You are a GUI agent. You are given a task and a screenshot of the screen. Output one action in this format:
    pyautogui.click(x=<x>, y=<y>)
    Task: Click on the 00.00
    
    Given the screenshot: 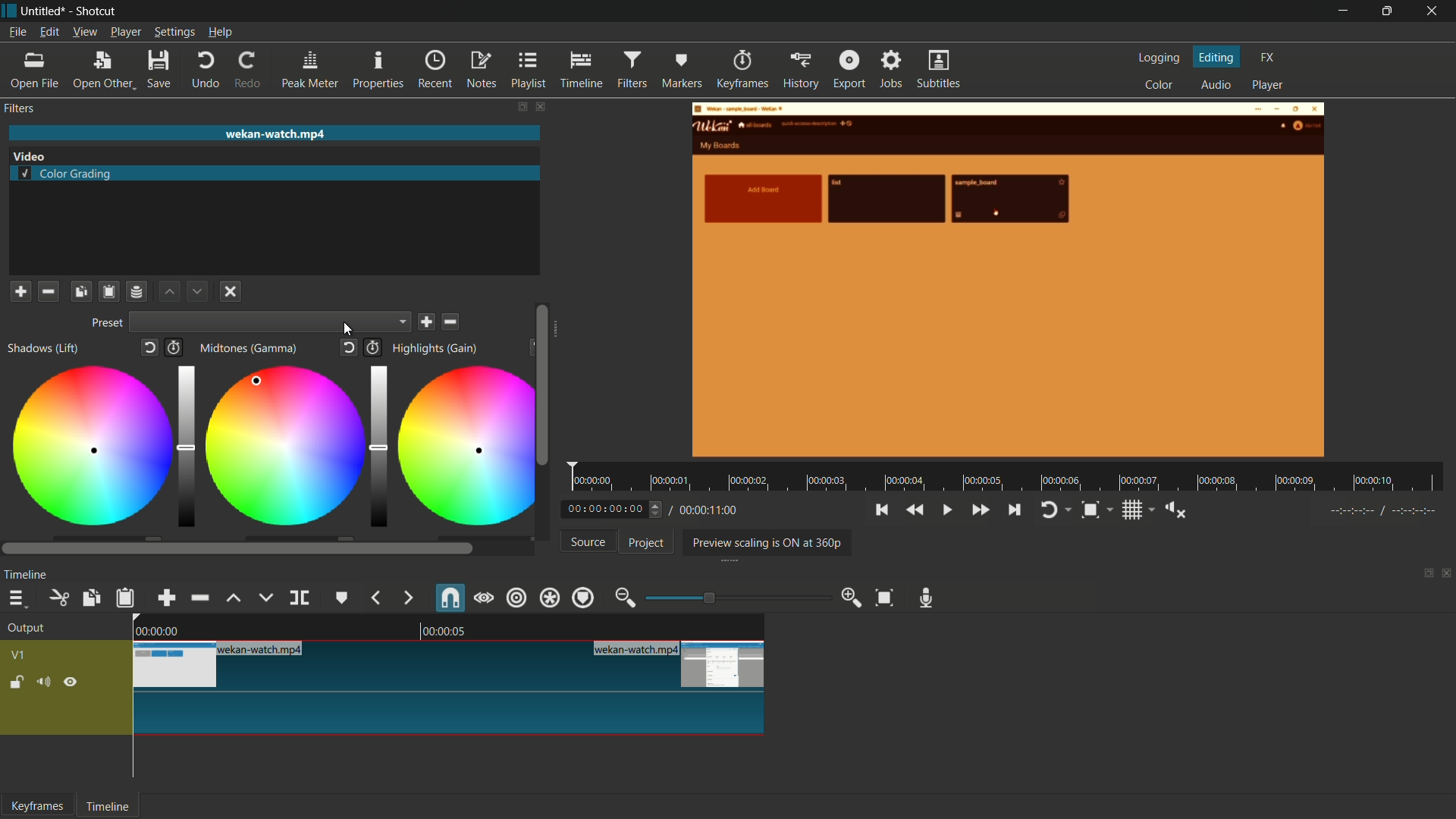 What is the action you would take?
    pyautogui.click(x=156, y=629)
    